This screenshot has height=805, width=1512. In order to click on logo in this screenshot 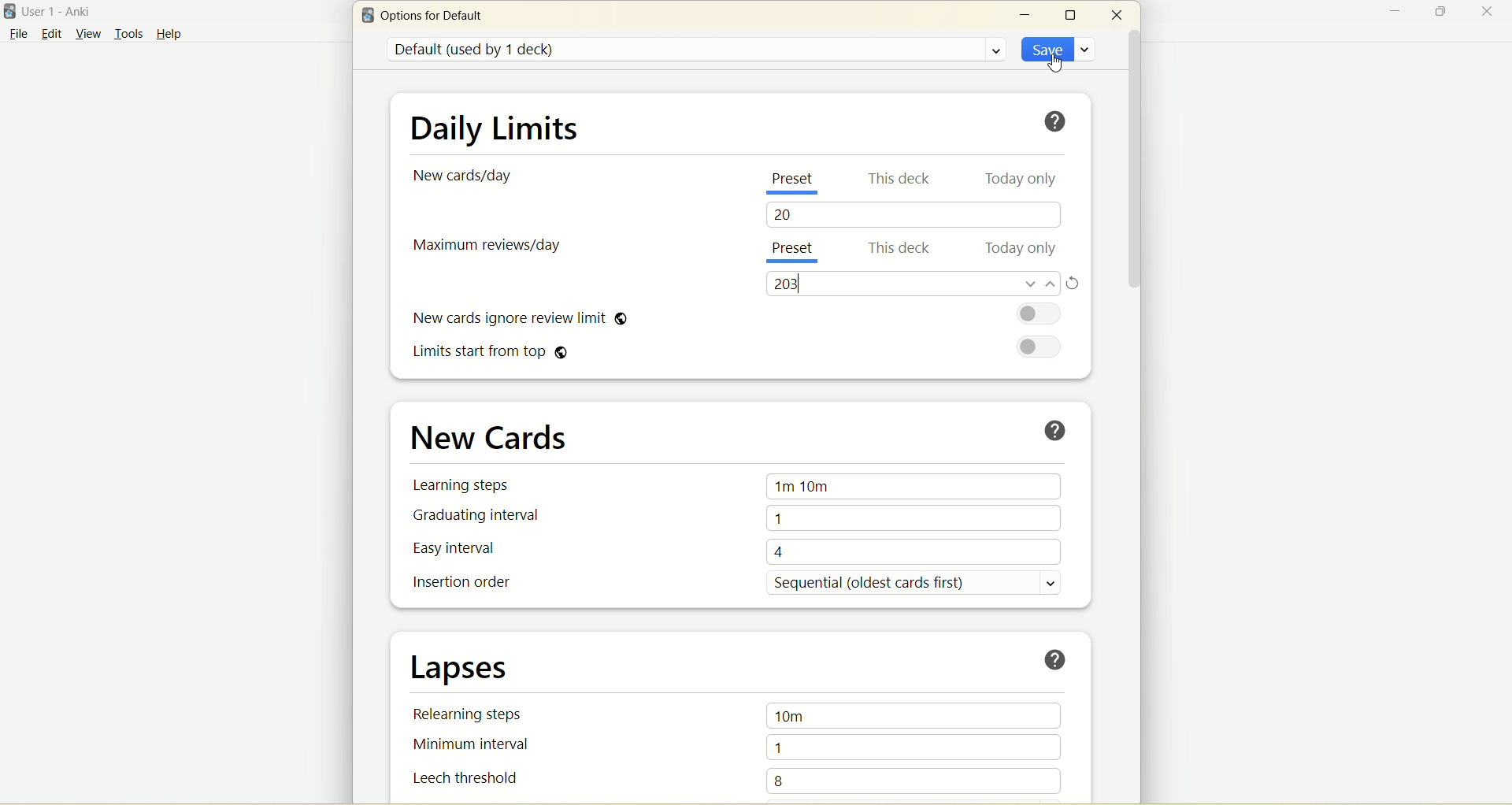, I will do `click(10, 12)`.